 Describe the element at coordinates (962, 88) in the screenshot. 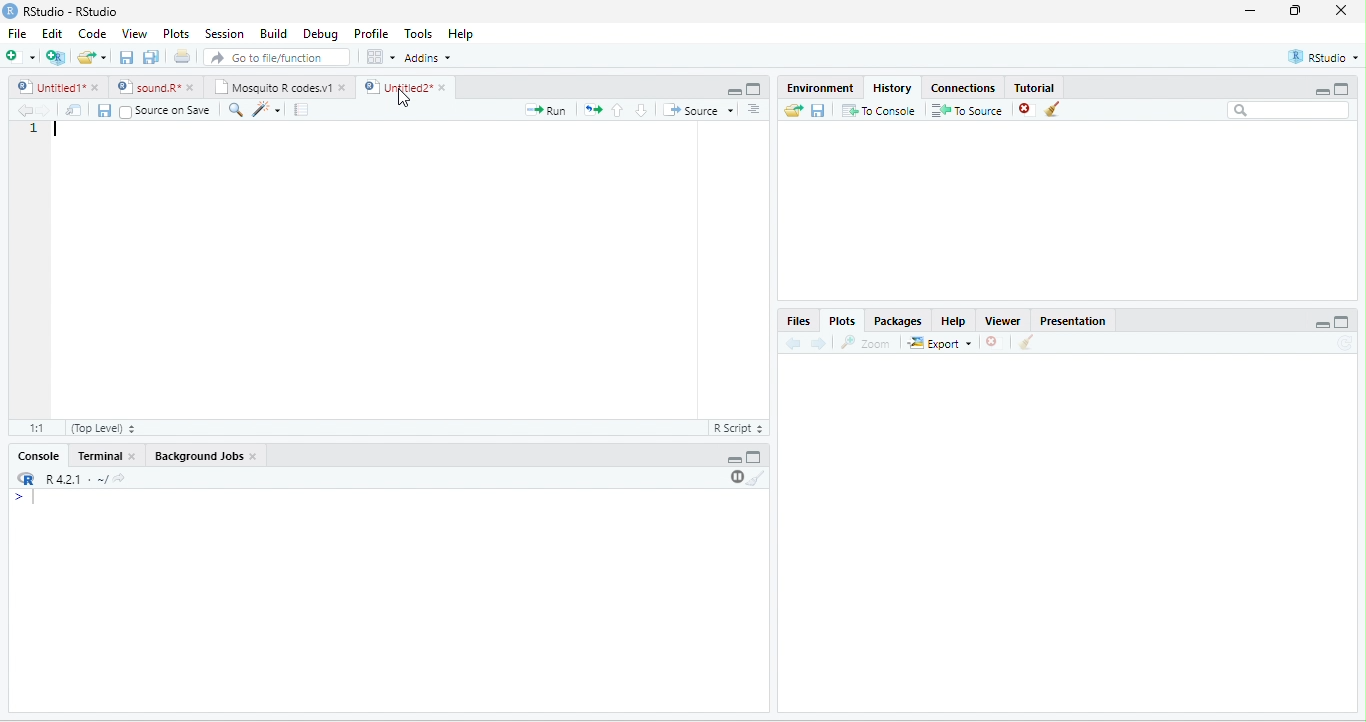

I see `Connections` at that location.